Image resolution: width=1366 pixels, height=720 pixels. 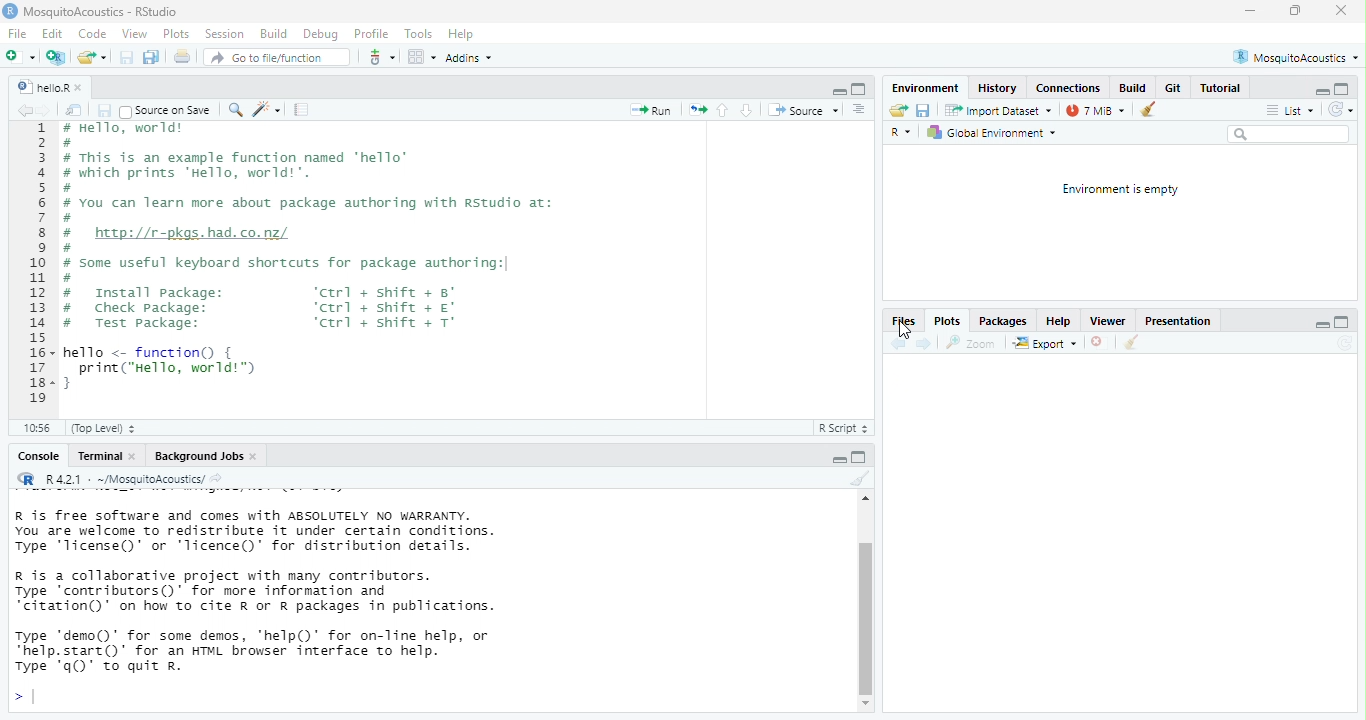 I want to click on Presentation, so click(x=1176, y=321).